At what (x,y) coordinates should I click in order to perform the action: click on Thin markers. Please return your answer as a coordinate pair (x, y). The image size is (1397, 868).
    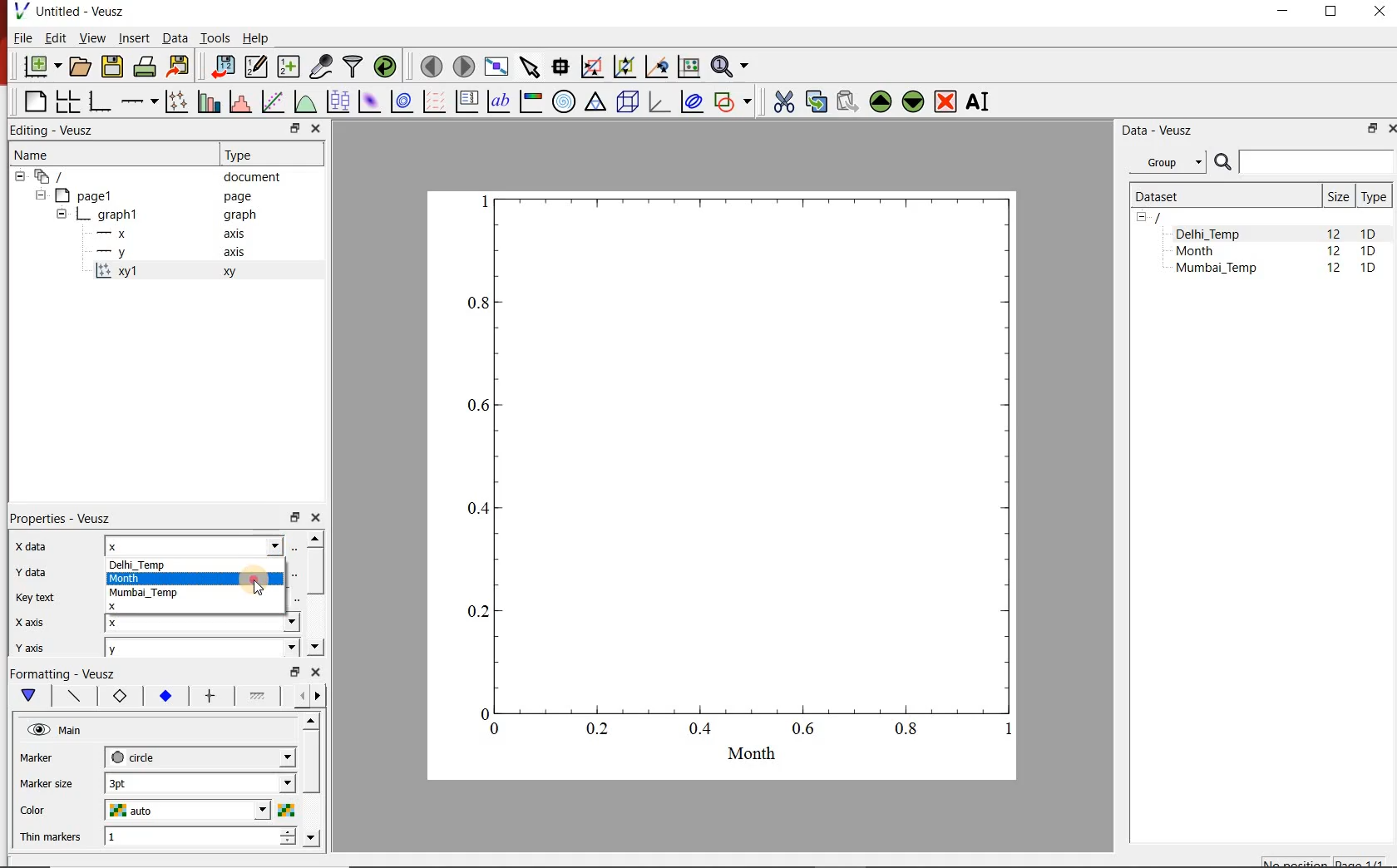
    Looking at the image, I should click on (49, 838).